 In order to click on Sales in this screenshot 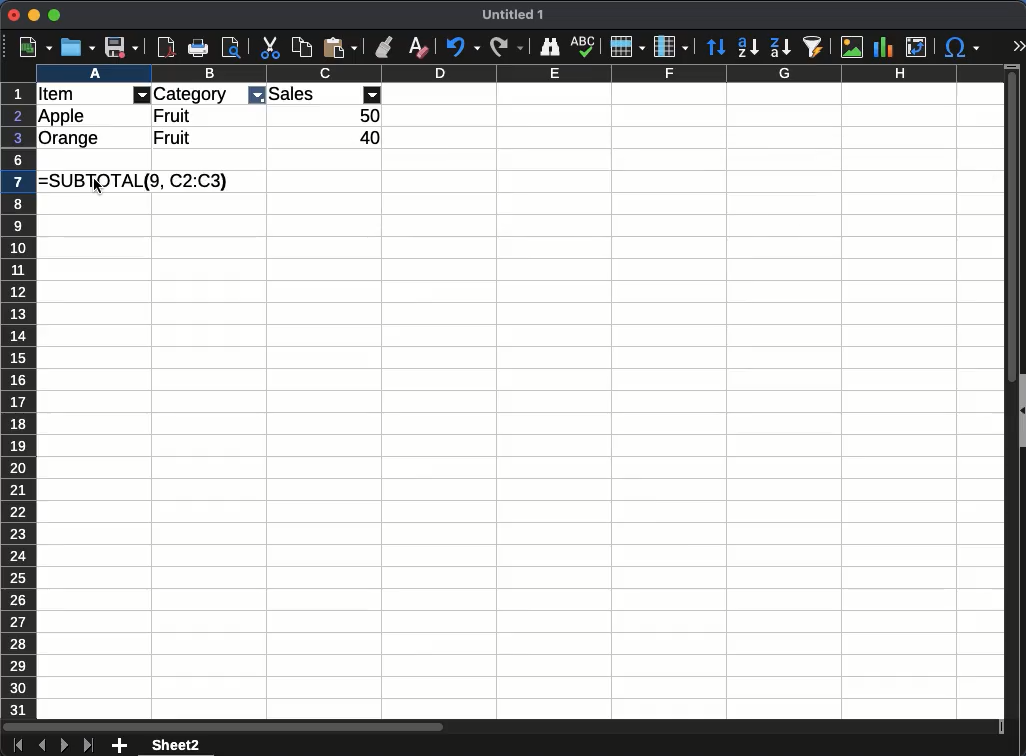, I will do `click(293, 94)`.